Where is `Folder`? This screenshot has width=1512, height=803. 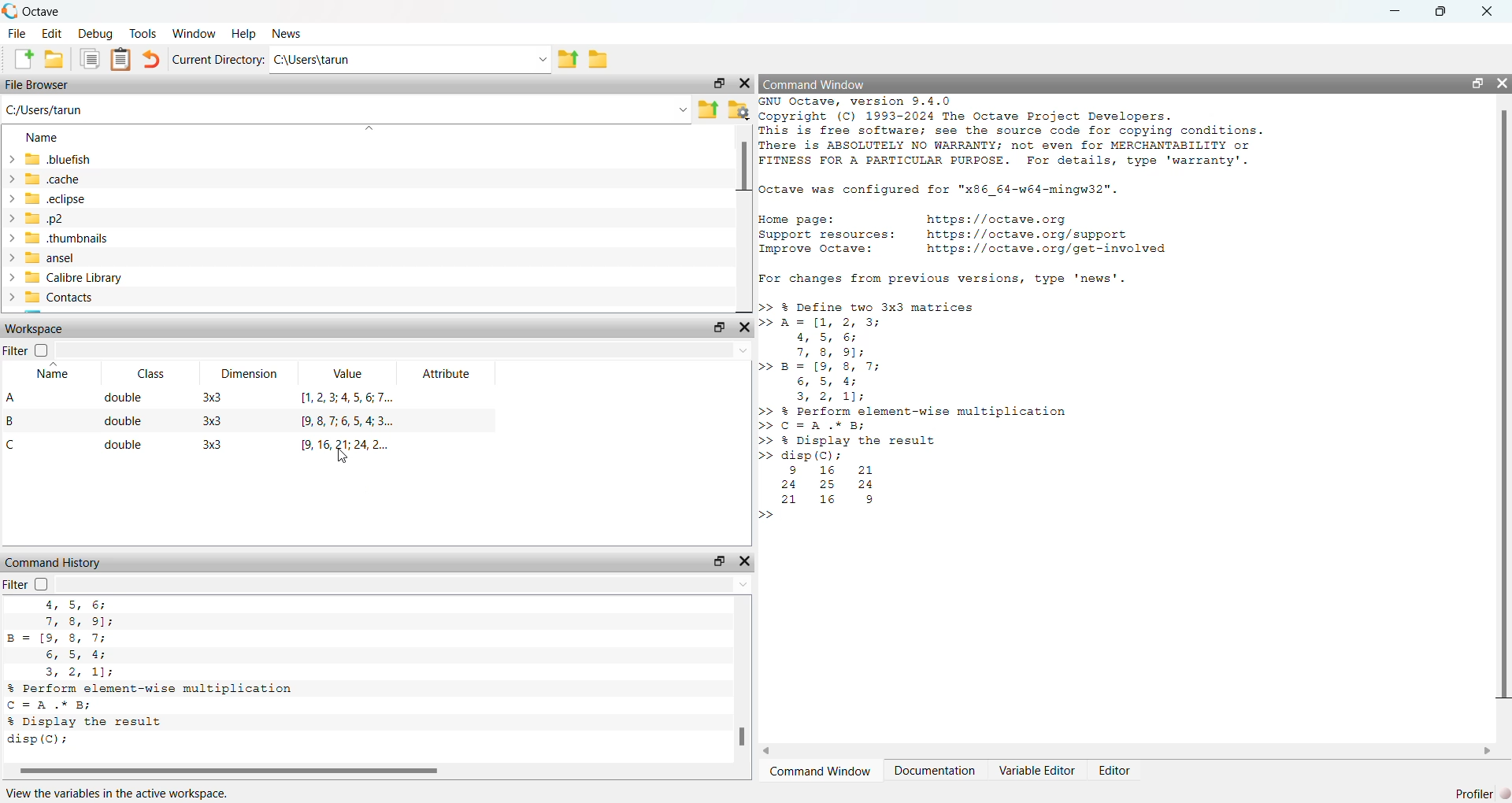
Folder is located at coordinates (598, 60).